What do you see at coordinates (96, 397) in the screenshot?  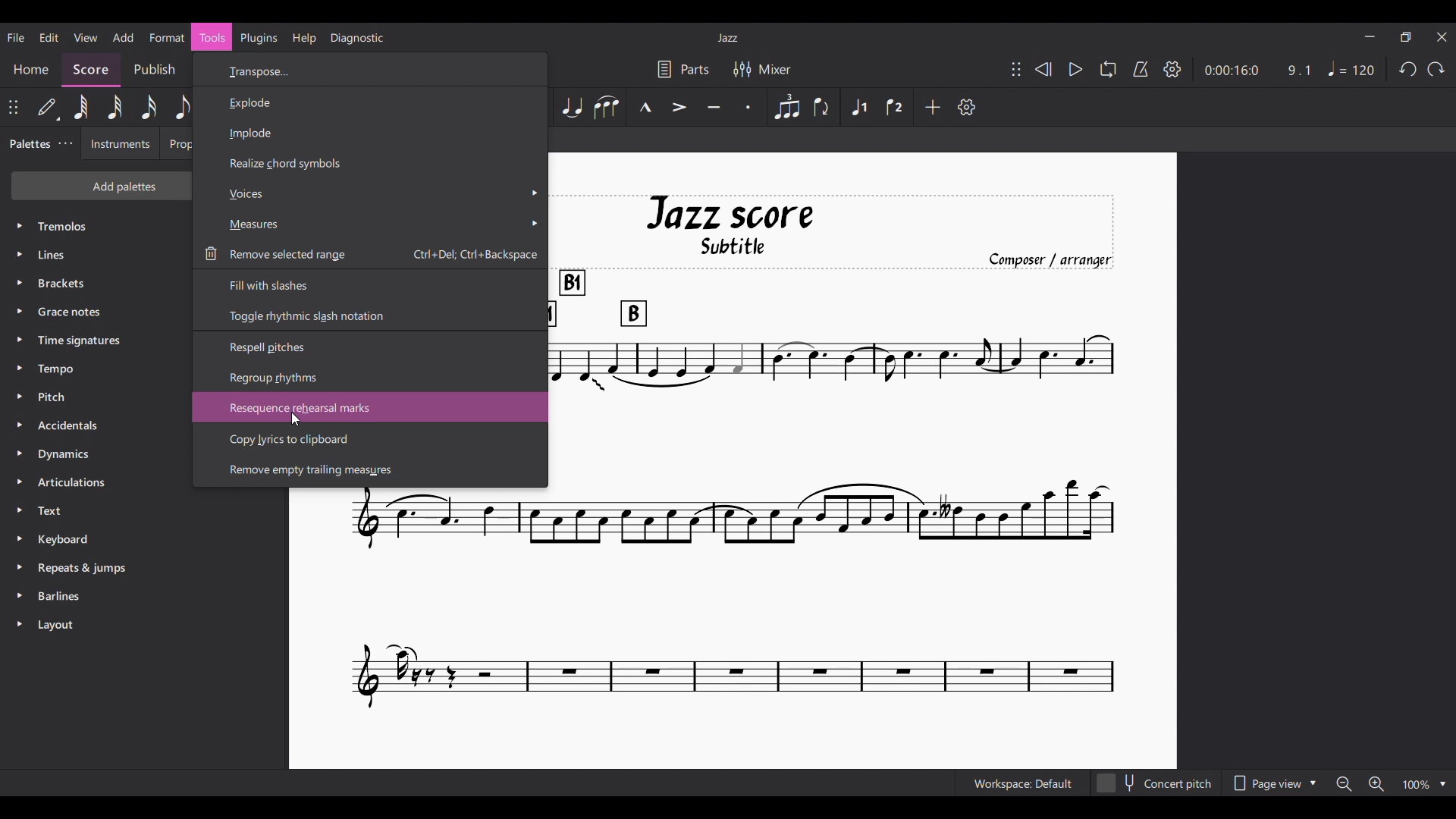 I see `Pitch` at bounding box center [96, 397].